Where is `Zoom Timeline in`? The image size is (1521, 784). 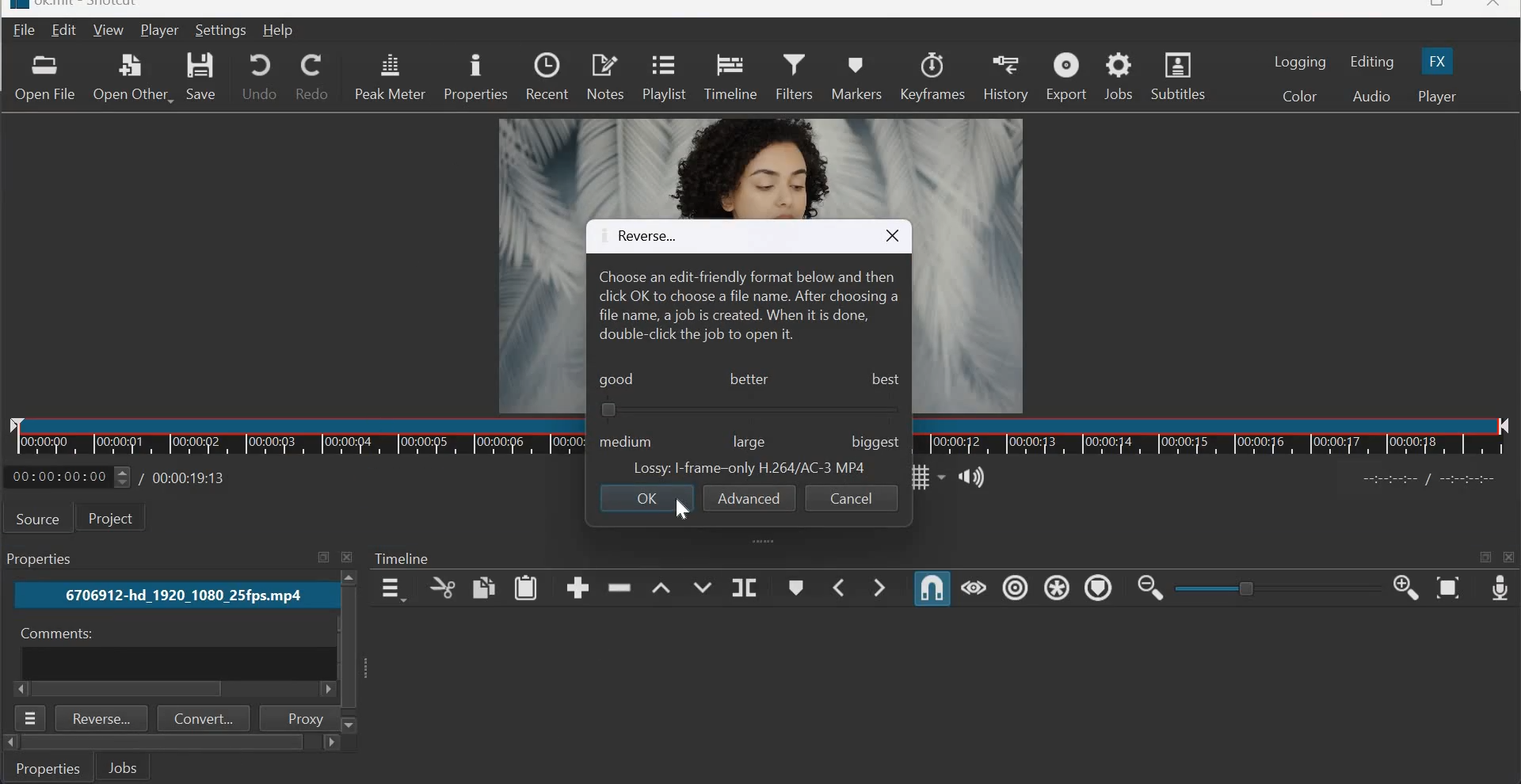 Zoom Timeline in is located at coordinates (1406, 589).